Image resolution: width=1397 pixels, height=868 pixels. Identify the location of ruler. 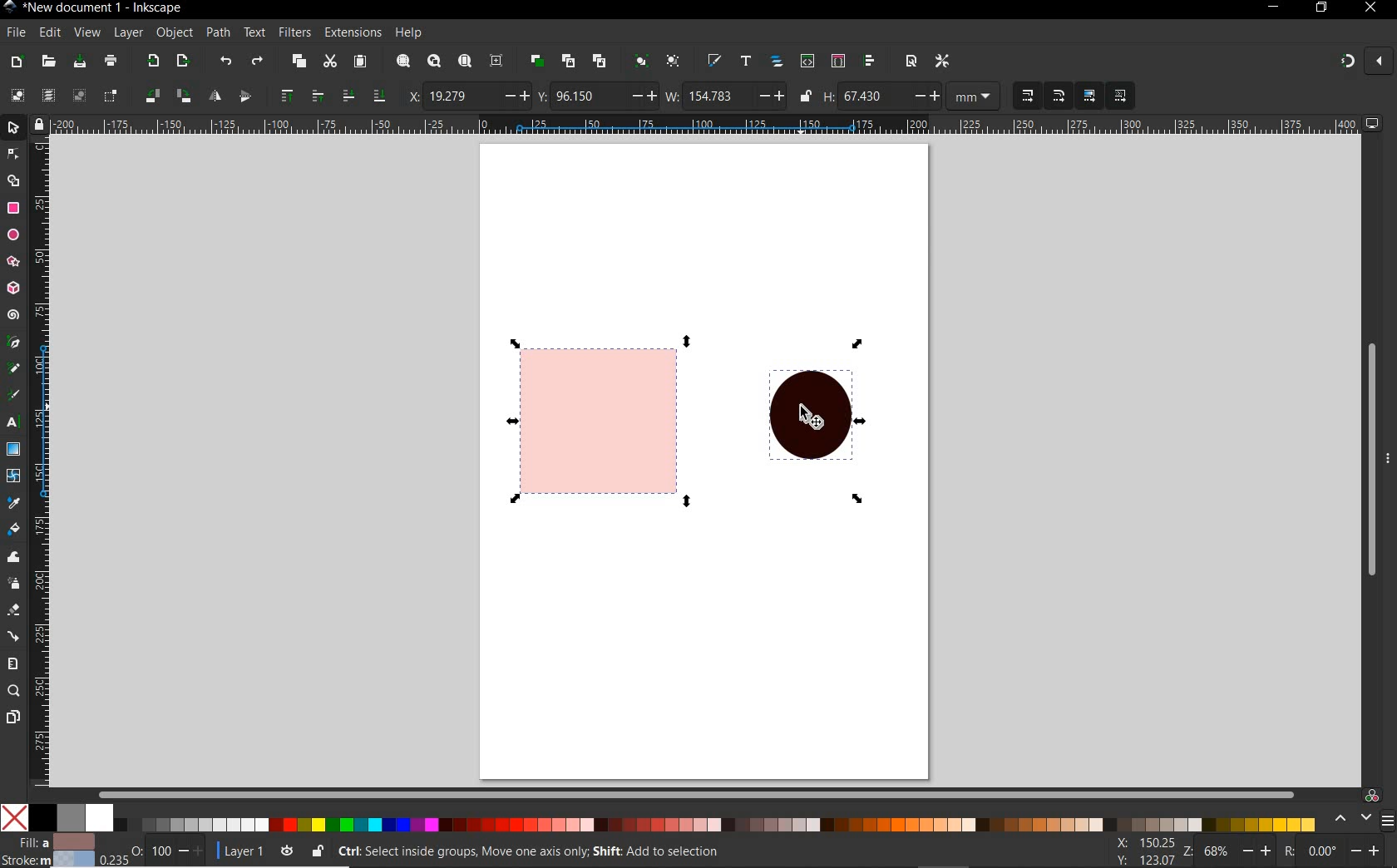
(708, 124).